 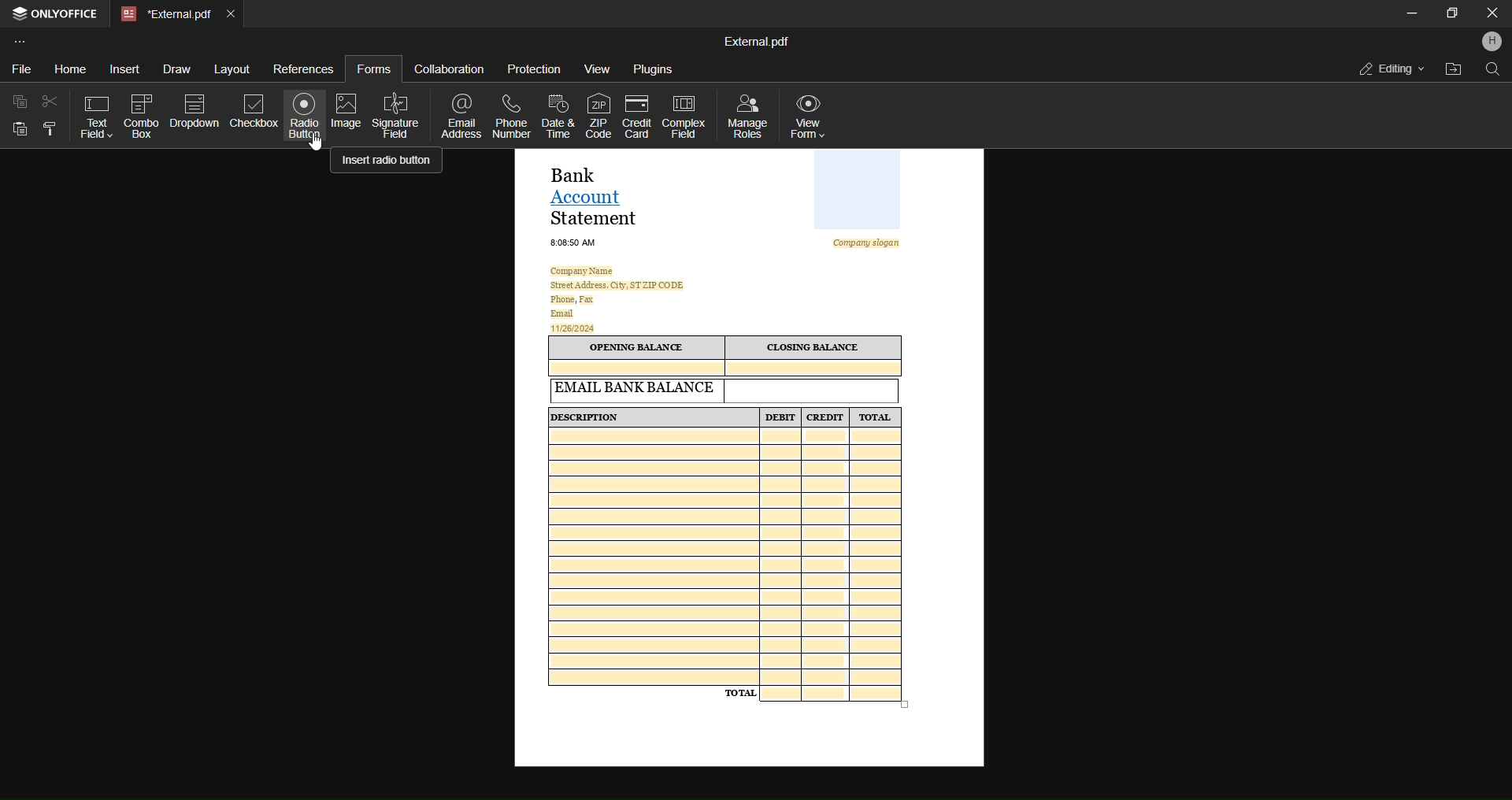 What do you see at coordinates (176, 69) in the screenshot?
I see `draw` at bounding box center [176, 69].